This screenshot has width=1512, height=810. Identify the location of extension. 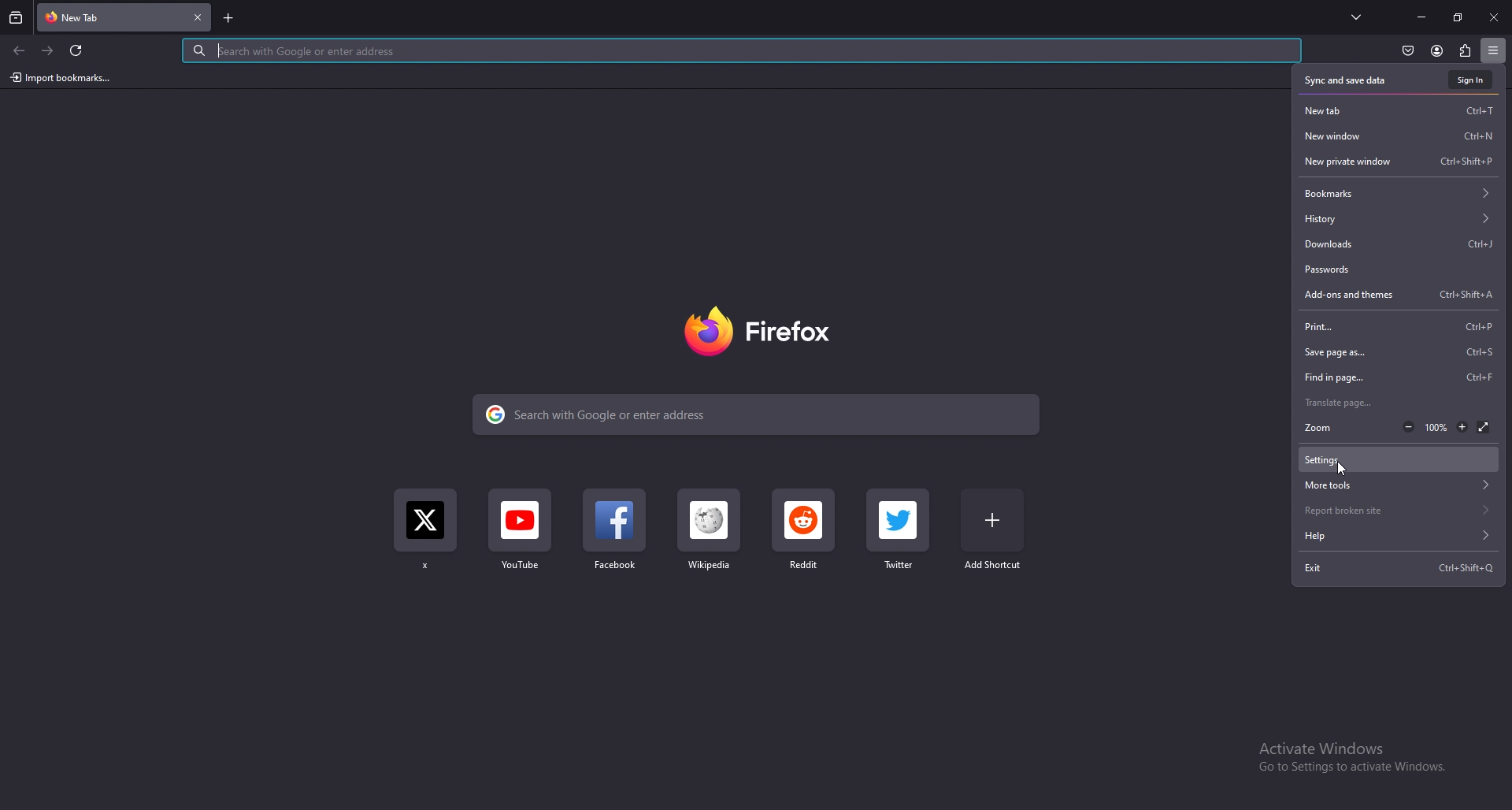
(1464, 50).